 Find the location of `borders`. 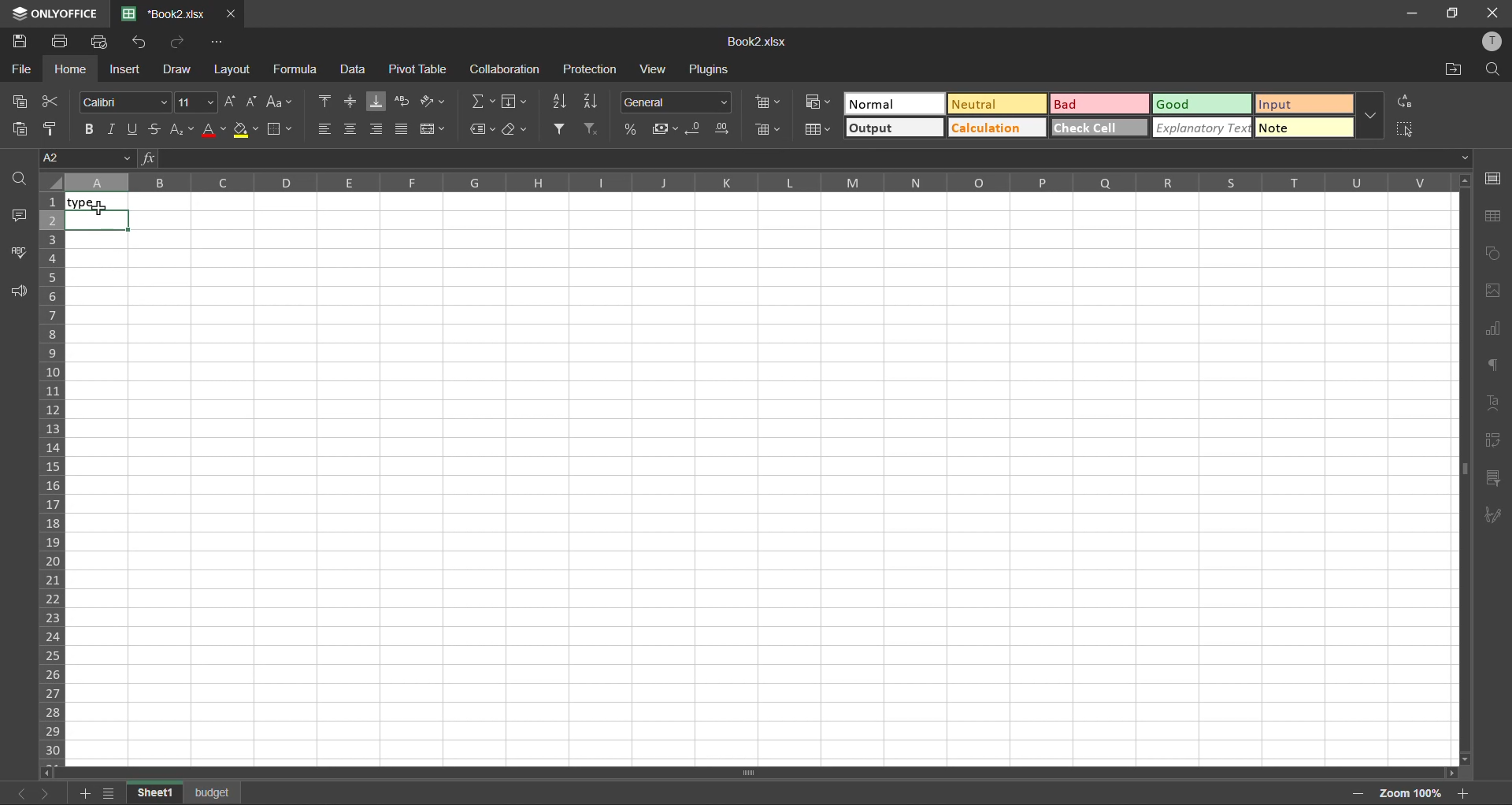

borders is located at coordinates (279, 132).